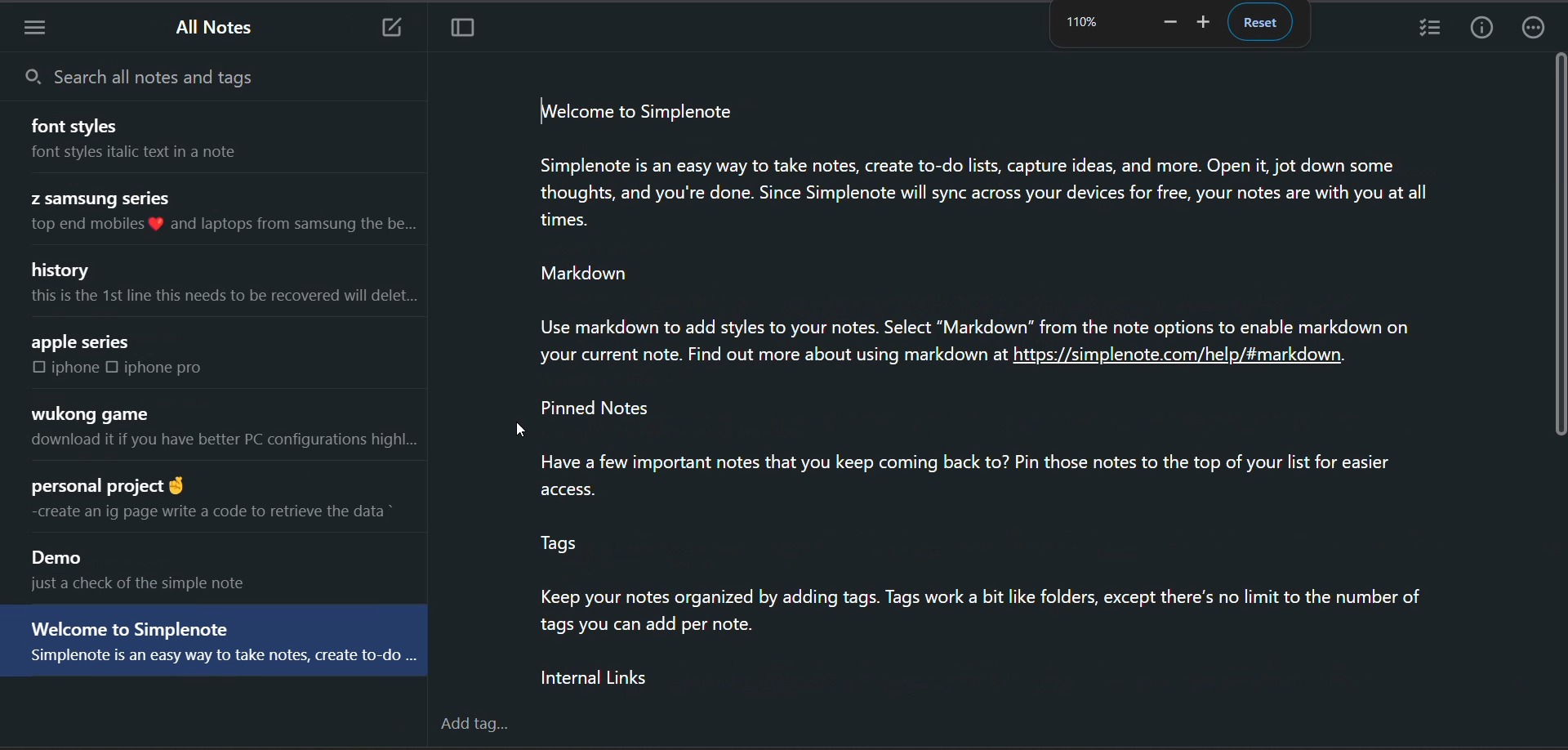 Image resolution: width=1568 pixels, height=750 pixels. I want to click on this is the 1st line this needs to be recovered will delet..., so click(220, 302).